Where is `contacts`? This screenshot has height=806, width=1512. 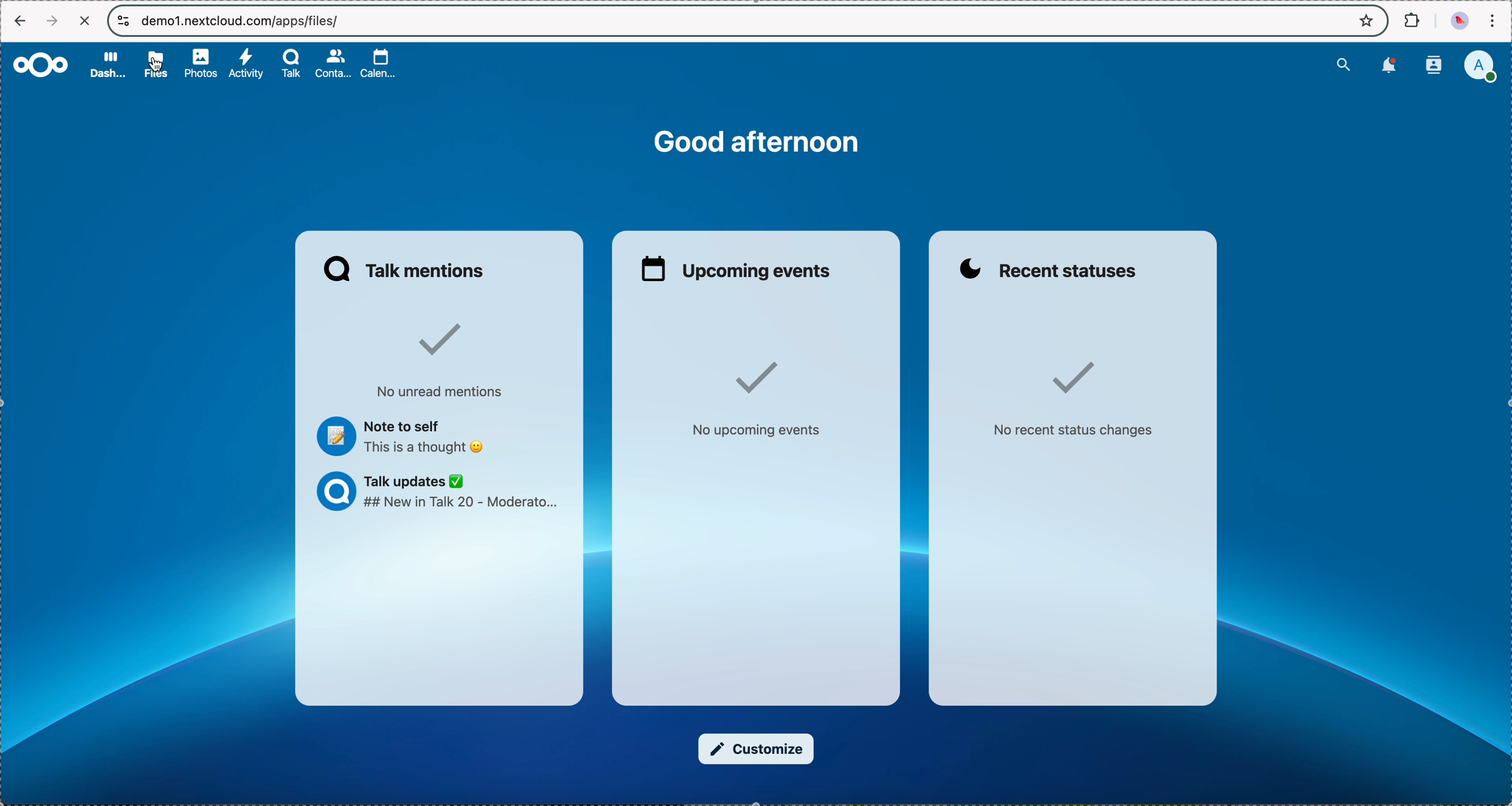
contacts is located at coordinates (328, 61).